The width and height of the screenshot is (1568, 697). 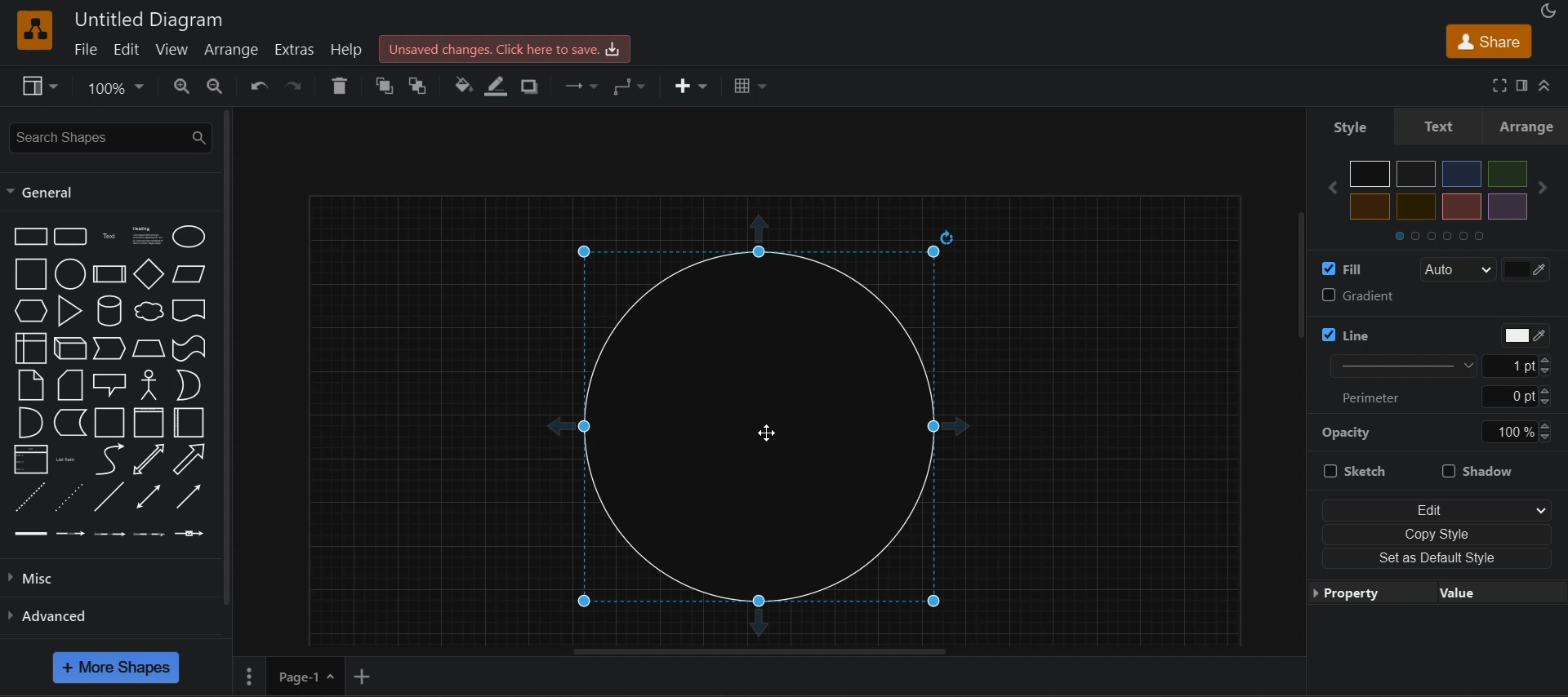 What do you see at coordinates (1355, 590) in the screenshot?
I see `property` at bounding box center [1355, 590].